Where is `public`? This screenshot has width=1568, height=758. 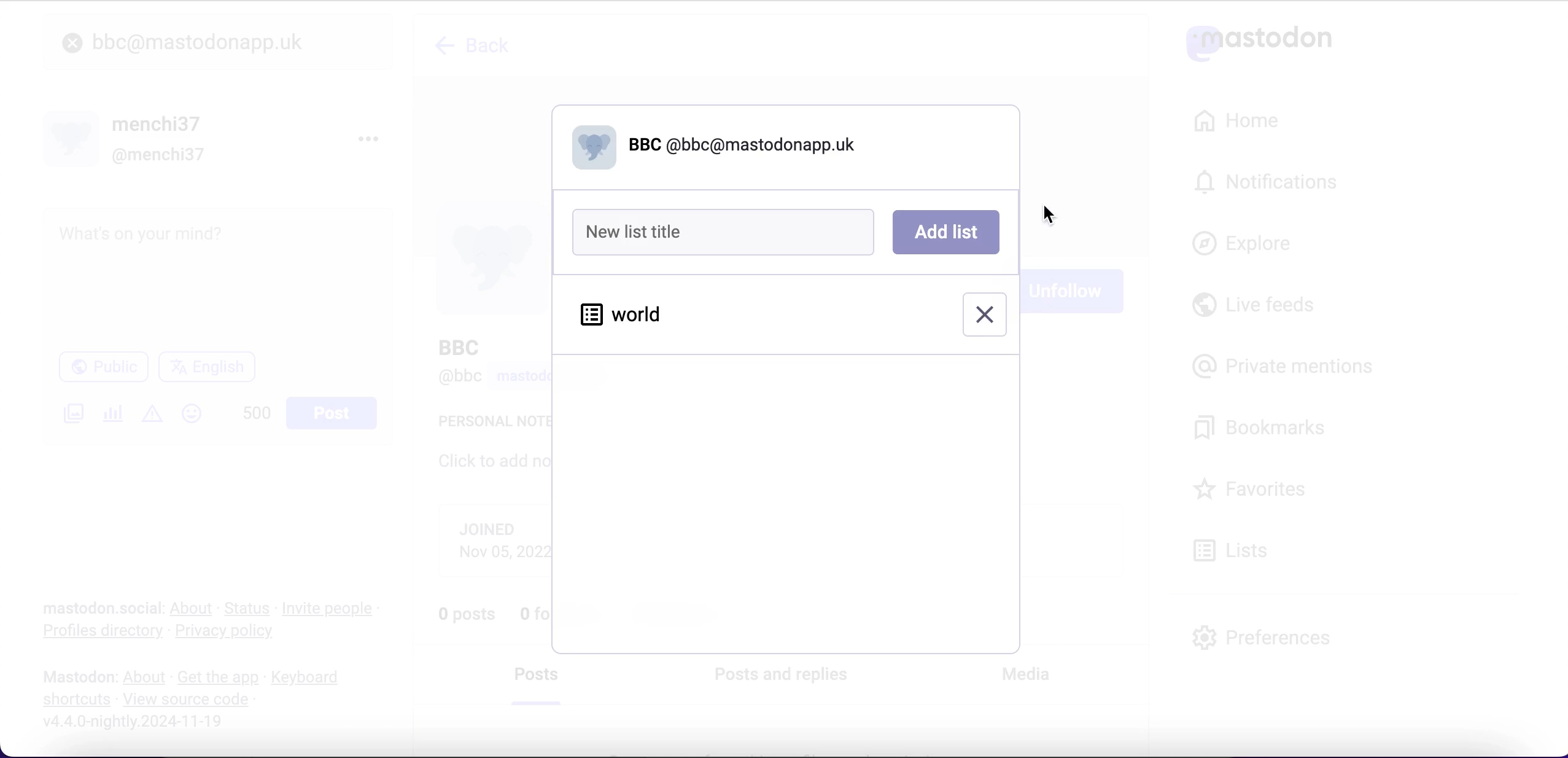
public is located at coordinates (102, 370).